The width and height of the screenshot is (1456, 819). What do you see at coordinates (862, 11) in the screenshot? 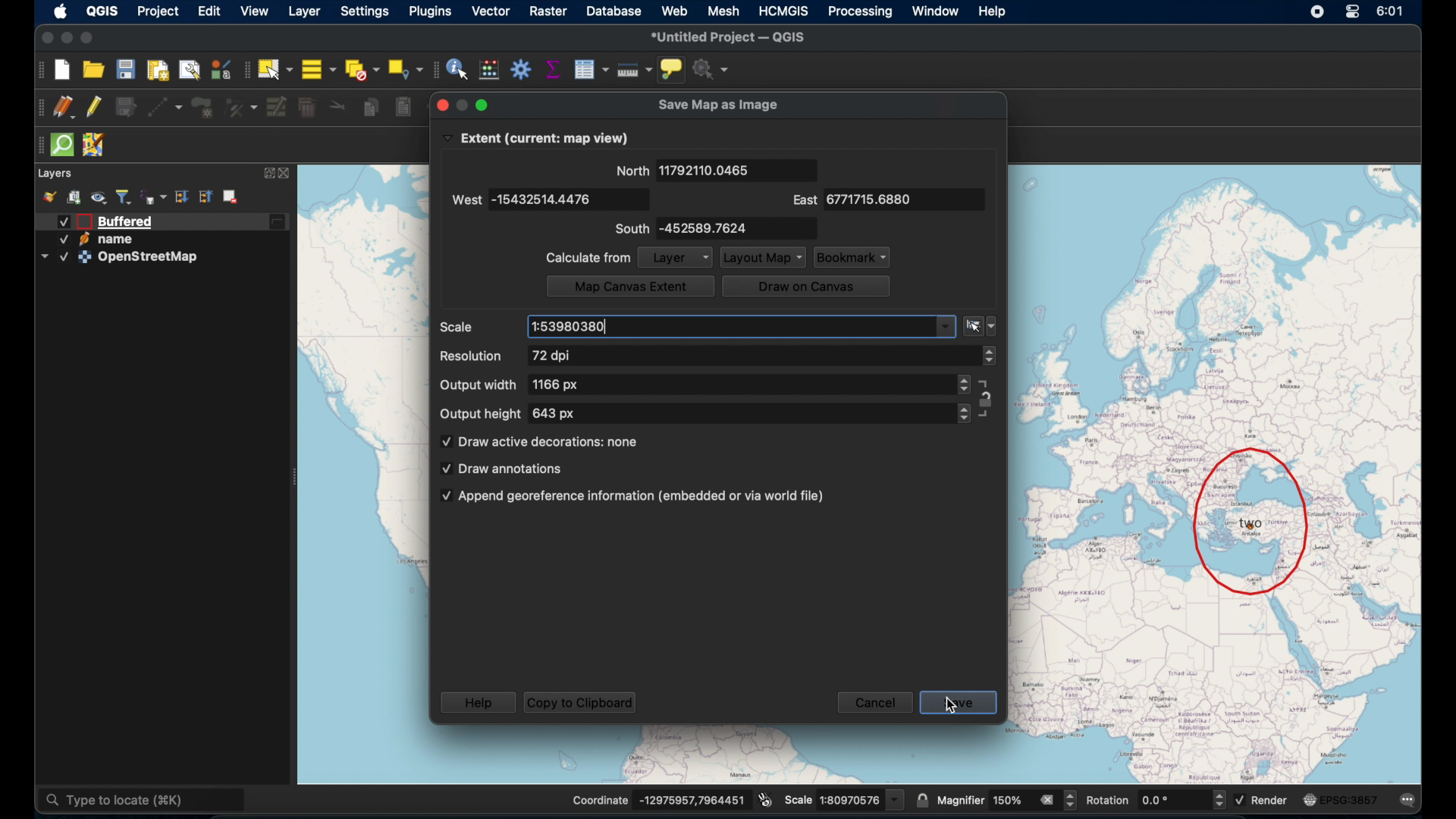
I see `processing` at bounding box center [862, 11].